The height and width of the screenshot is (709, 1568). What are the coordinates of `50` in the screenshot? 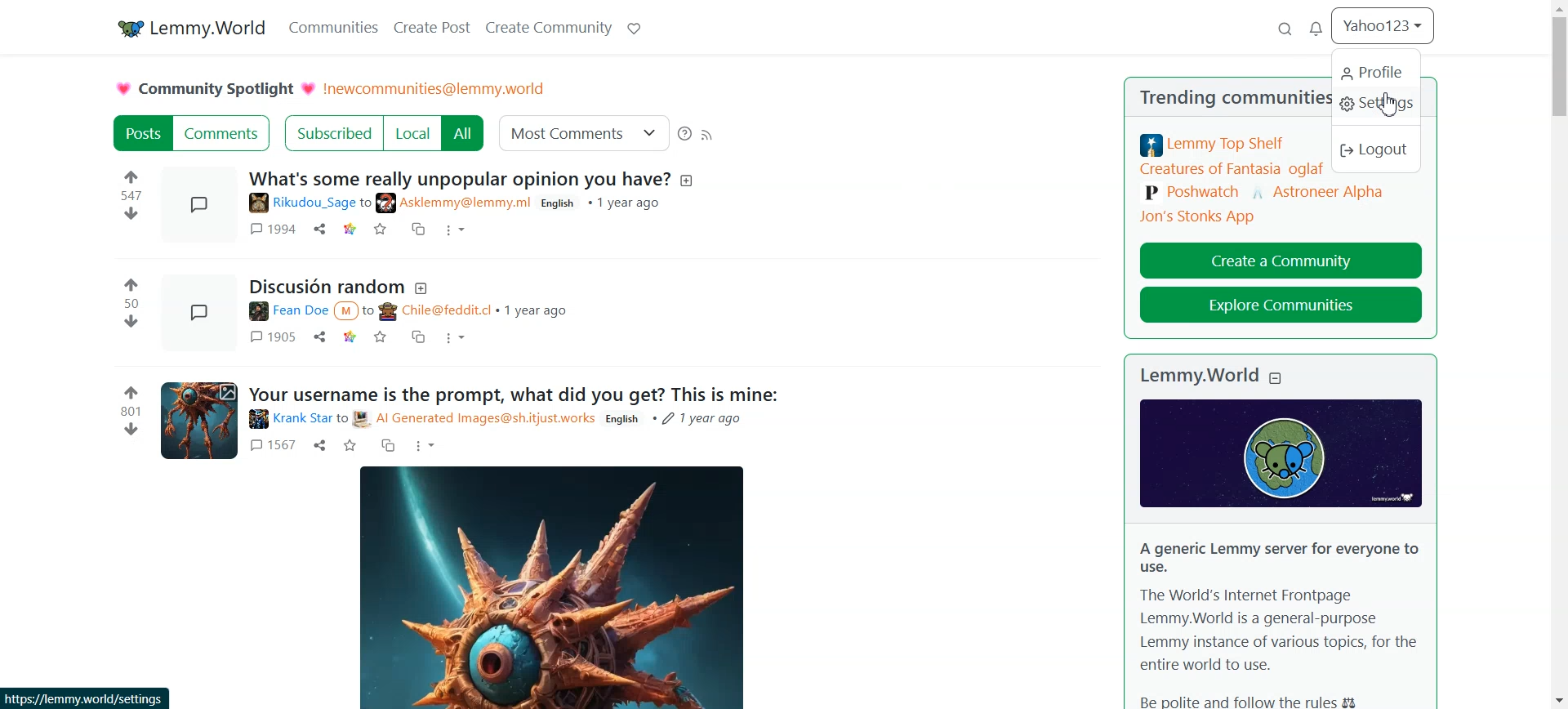 It's located at (131, 304).